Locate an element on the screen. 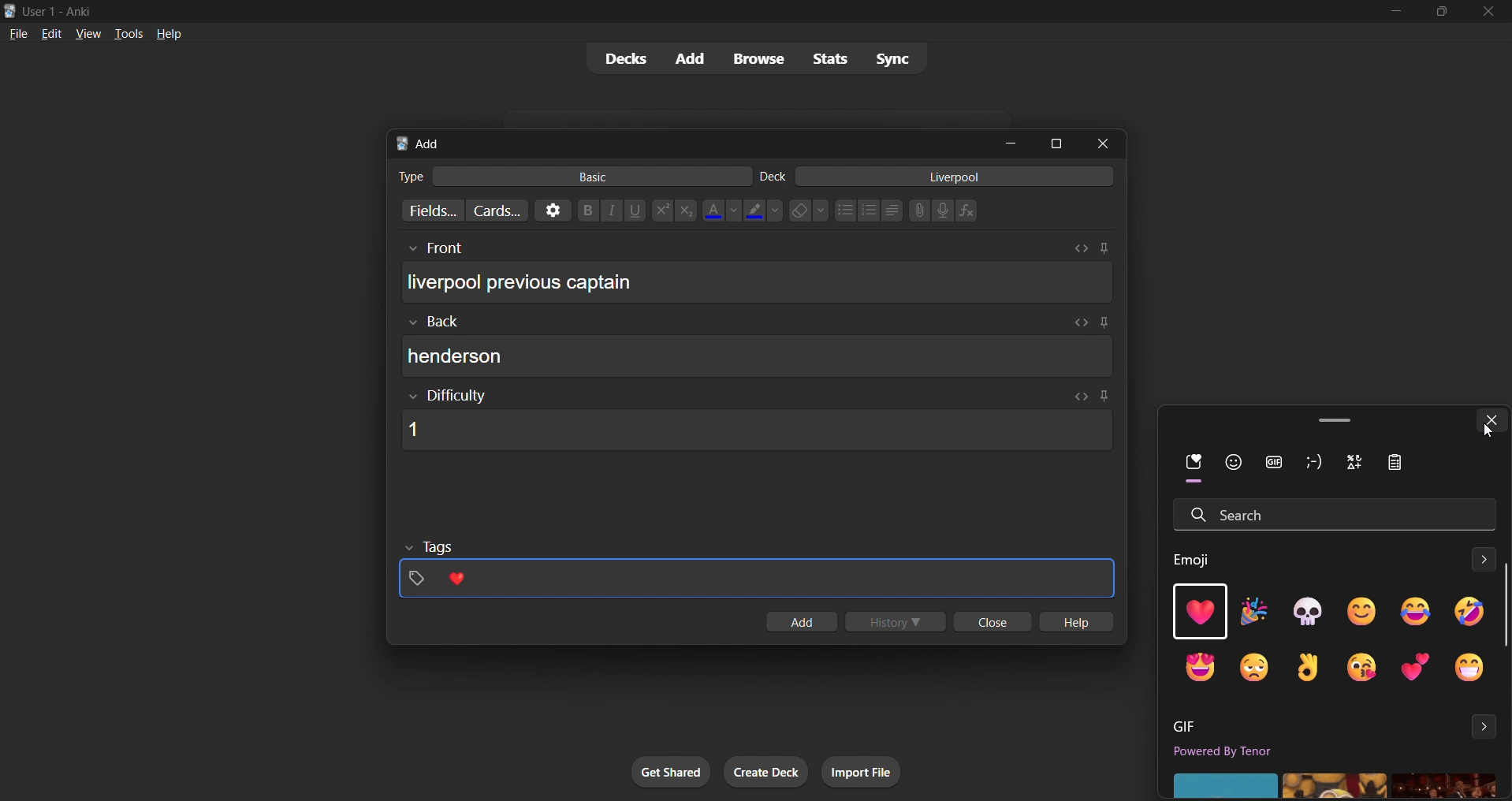 This screenshot has width=1512, height=801. dotted list is located at coordinates (844, 212).